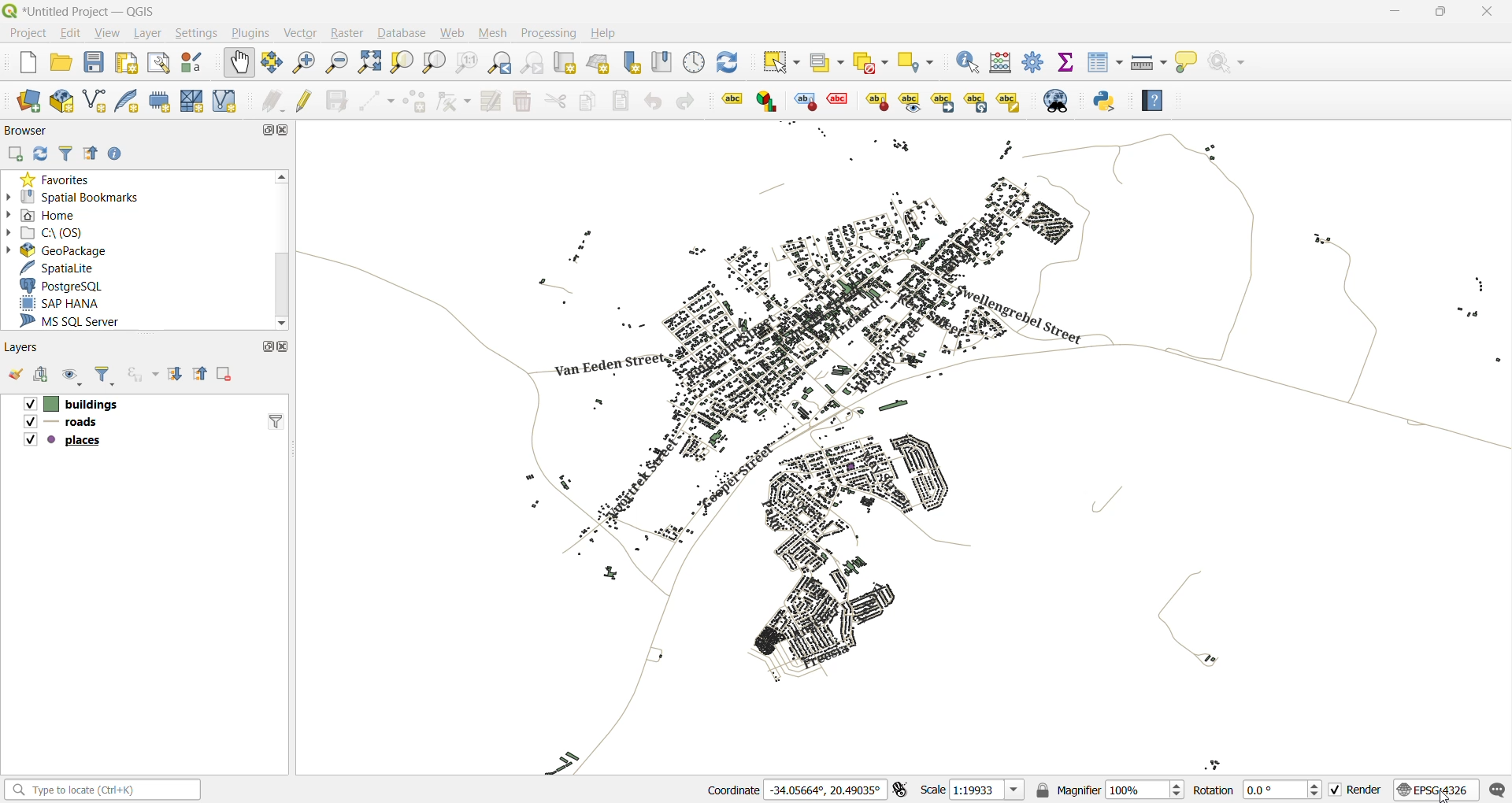 This screenshot has height=803, width=1512. What do you see at coordinates (20, 348) in the screenshot?
I see `layers` at bounding box center [20, 348].